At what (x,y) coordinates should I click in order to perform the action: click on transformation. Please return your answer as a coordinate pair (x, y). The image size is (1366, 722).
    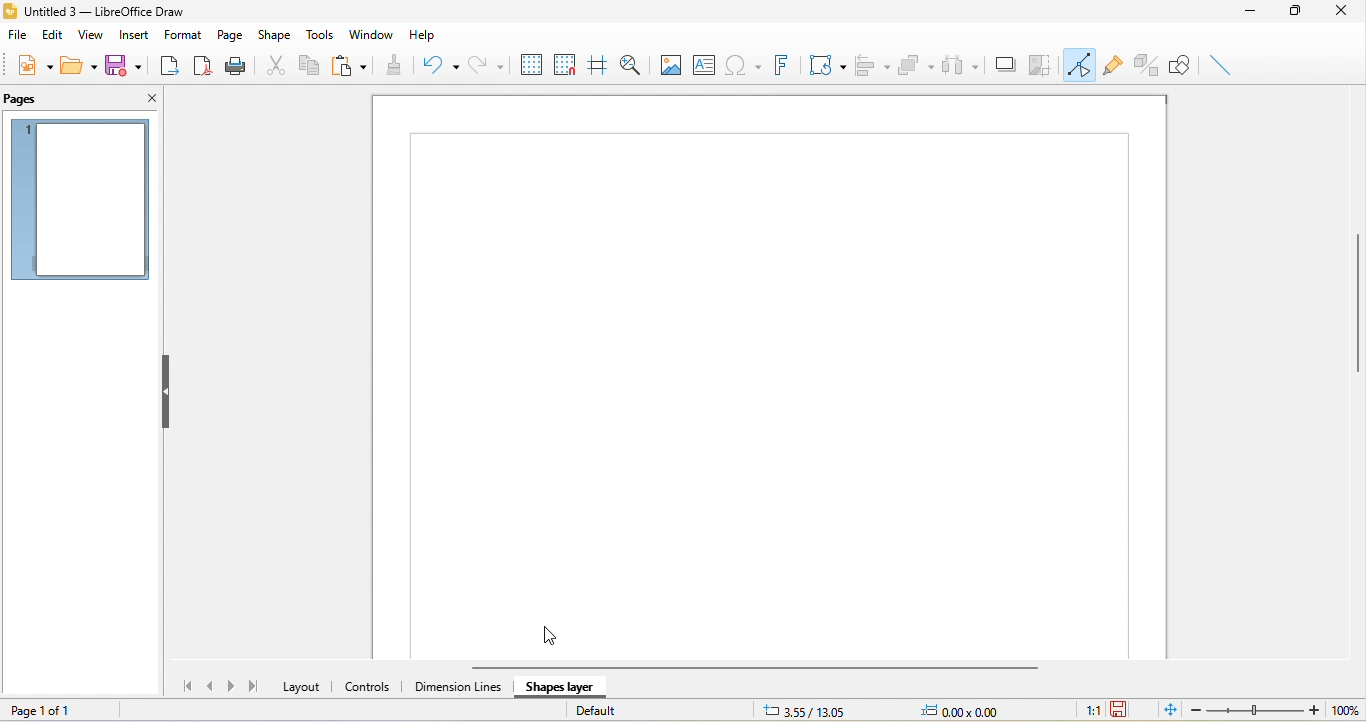
    Looking at the image, I should click on (823, 65).